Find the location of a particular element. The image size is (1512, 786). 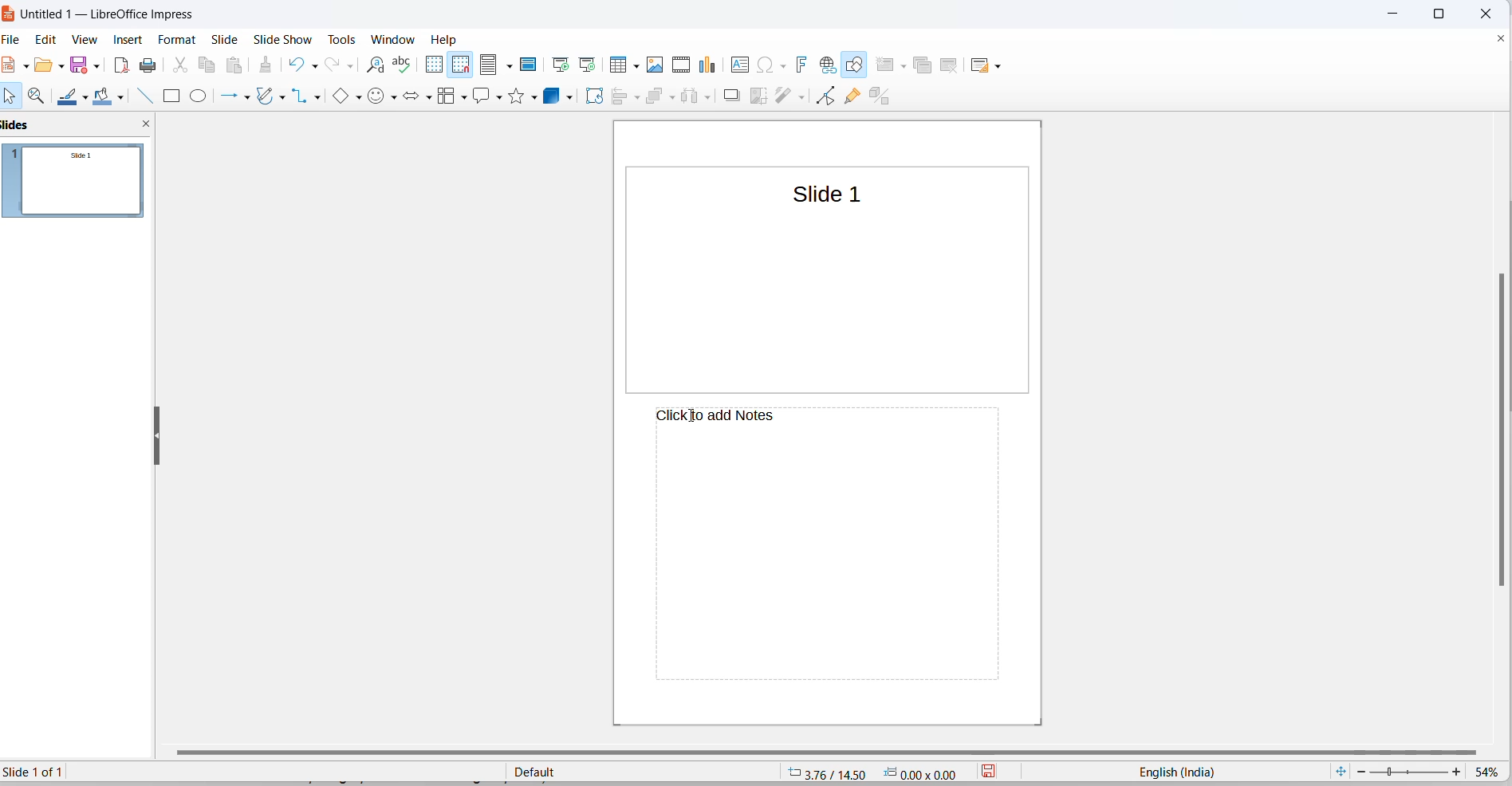

slides is located at coordinates (79, 185).